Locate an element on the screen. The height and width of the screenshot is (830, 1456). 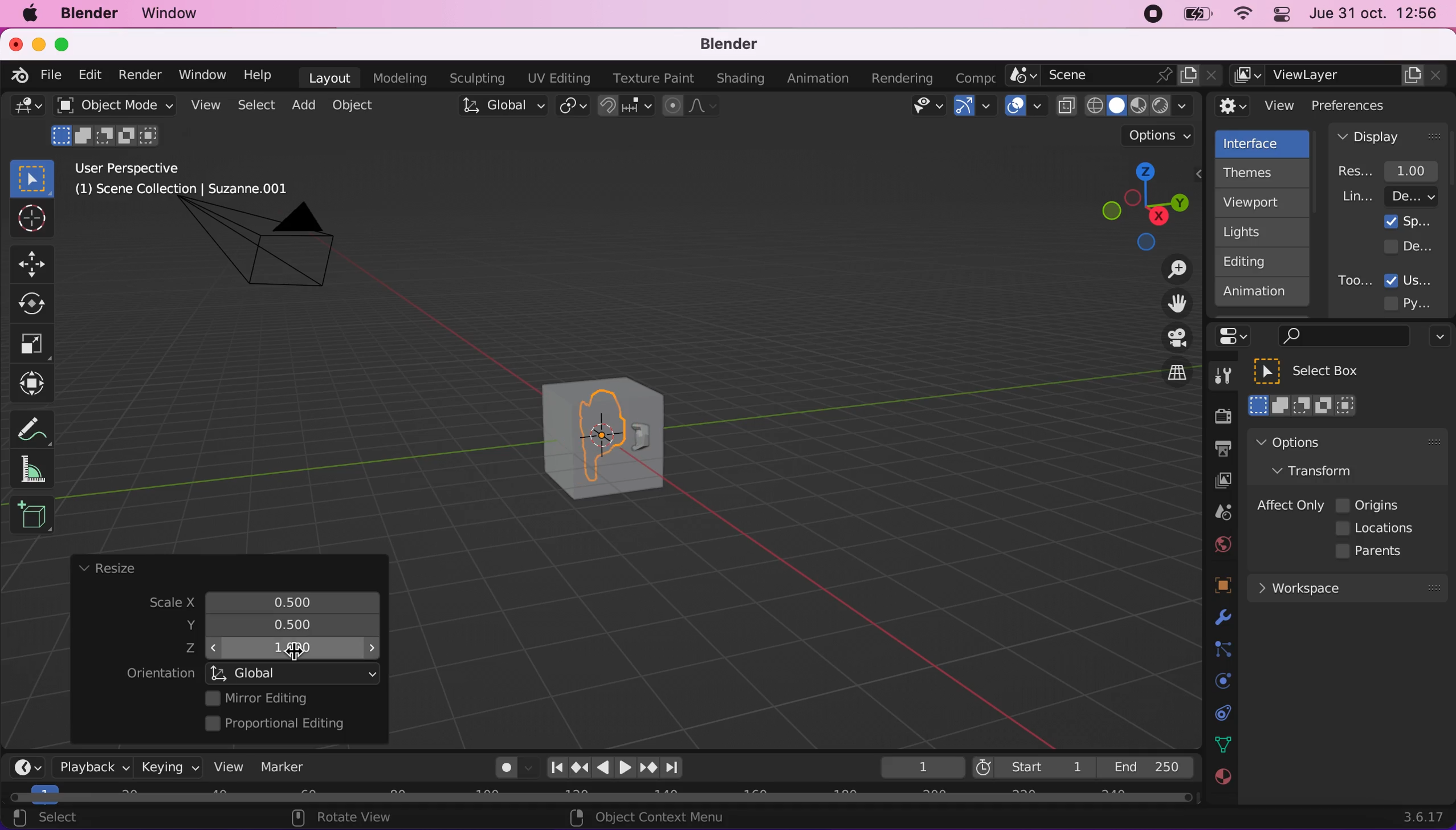
keyframe is located at coordinates (921, 768).